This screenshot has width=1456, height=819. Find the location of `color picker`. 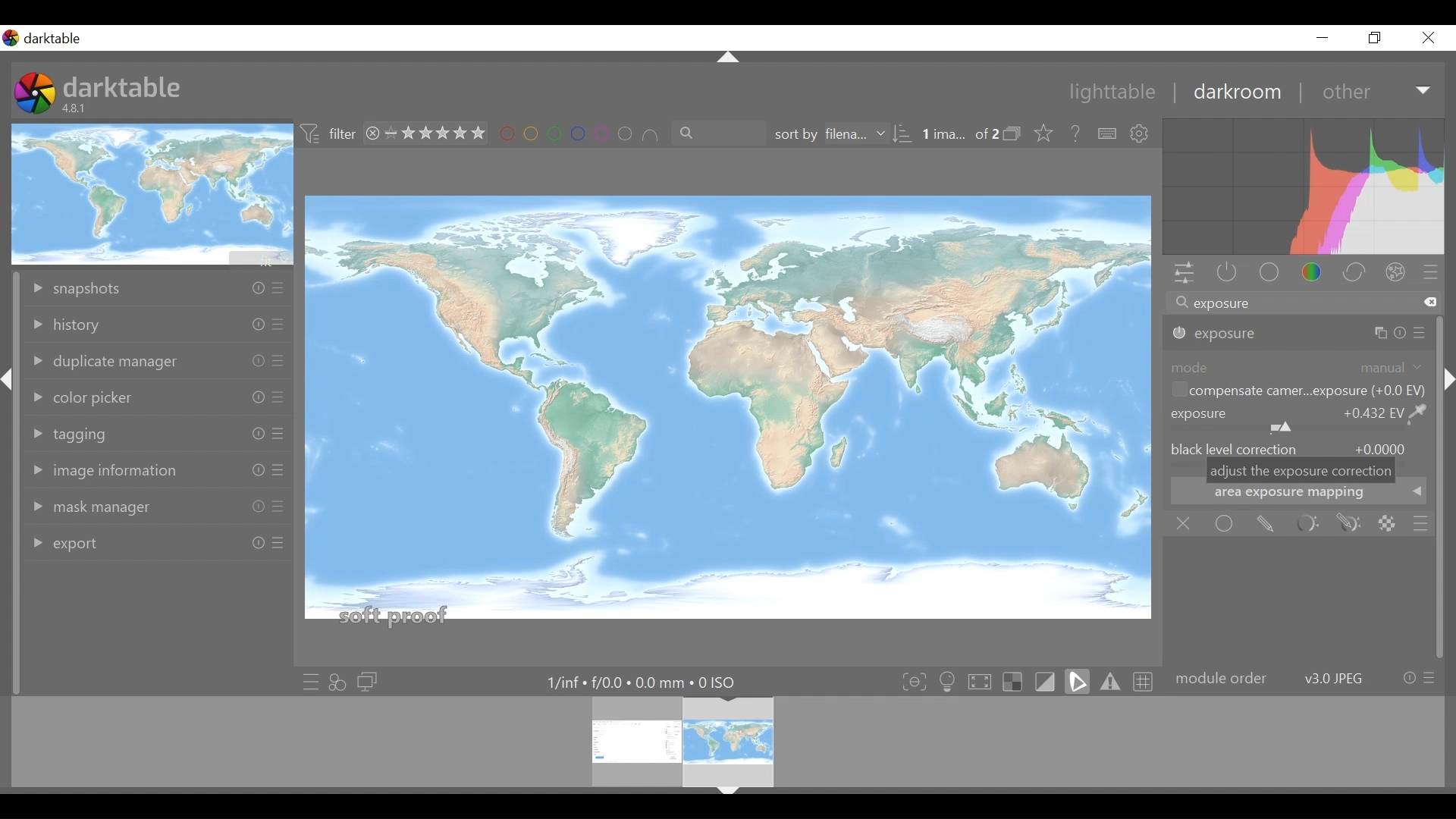

color picker is located at coordinates (89, 397).